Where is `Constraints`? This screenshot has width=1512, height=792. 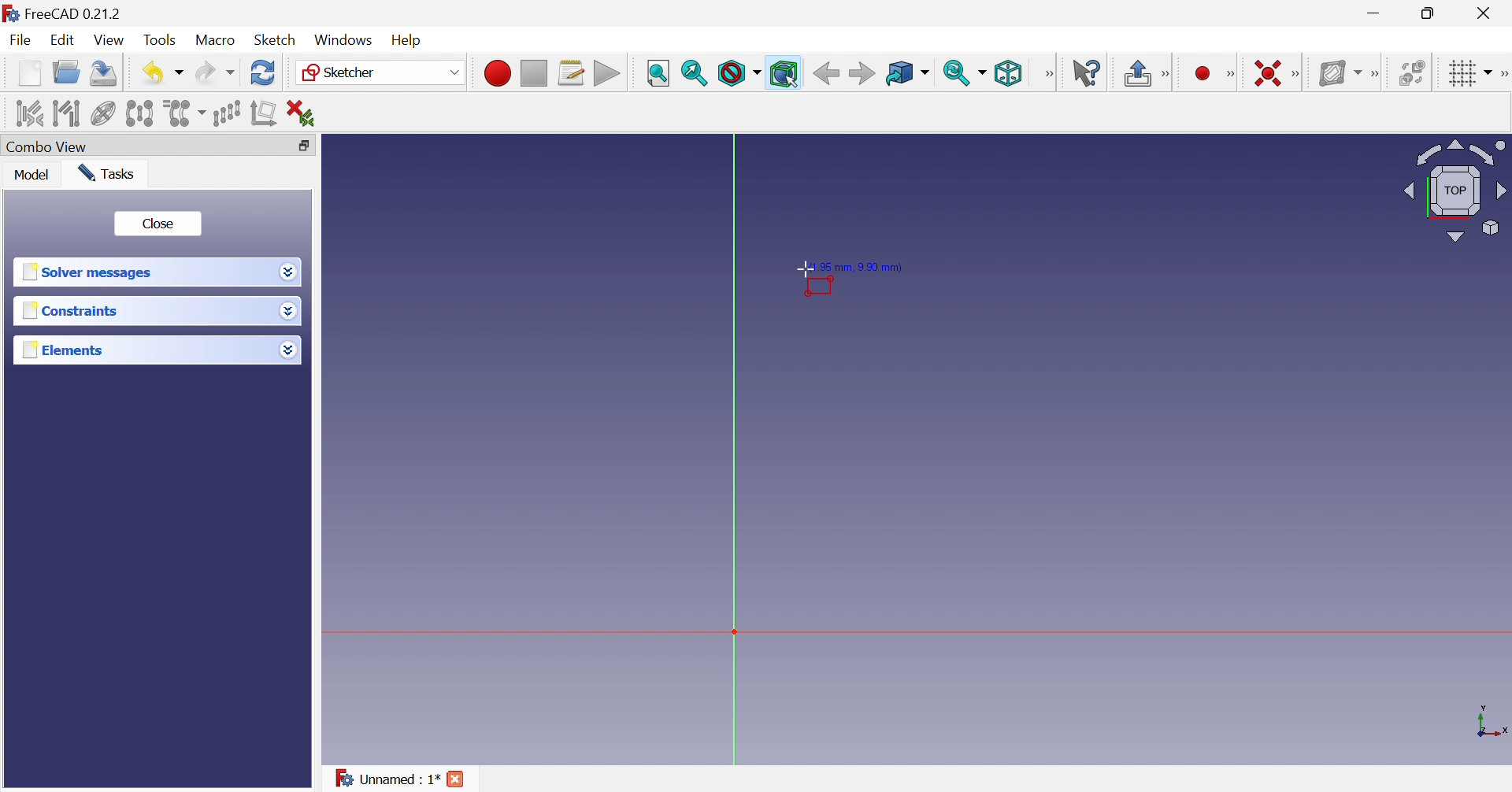
Constraints is located at coordinates (70, 310).